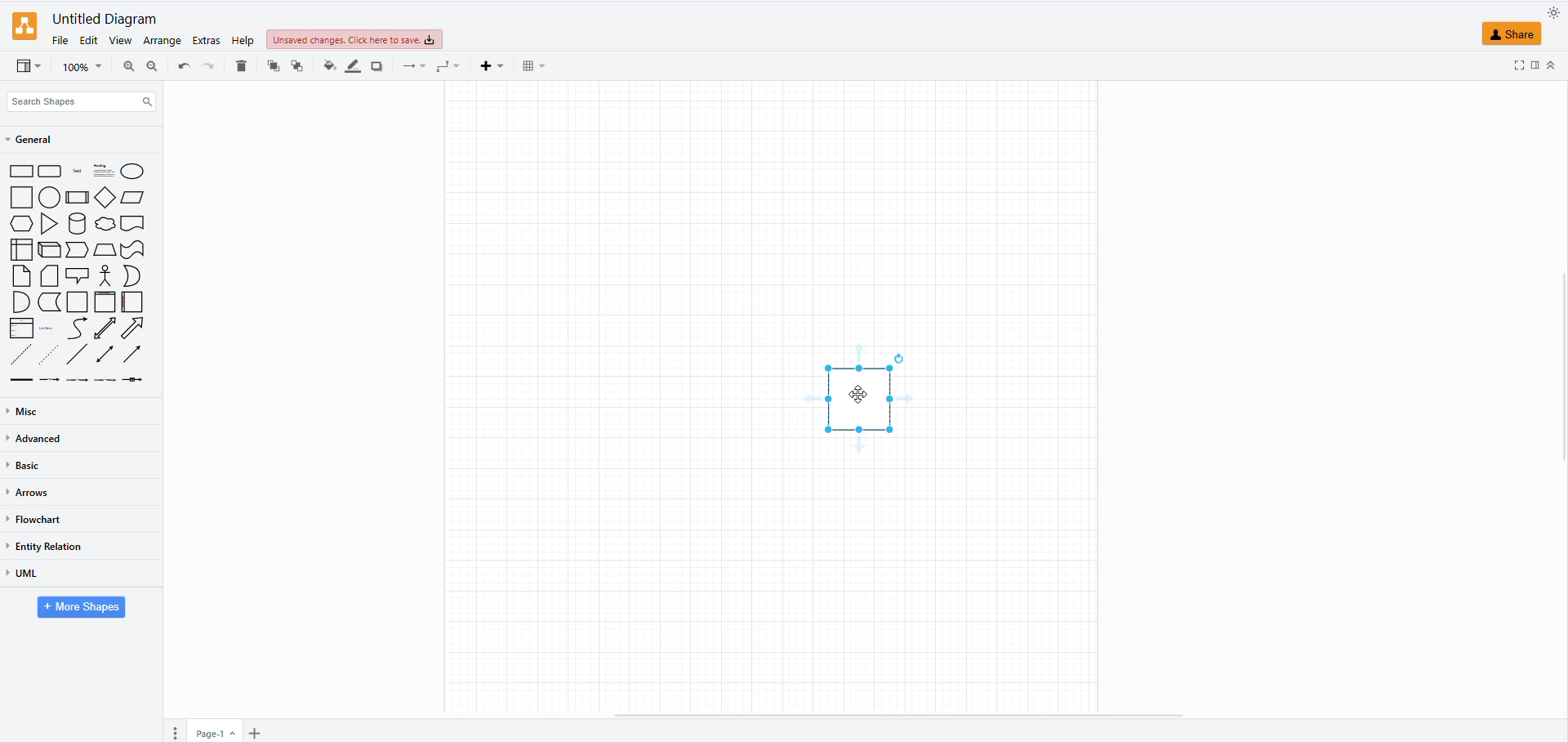 This screenshot has width=1568, height=742. Describe the element at coordinates (38, 141) in the screenshot. I see `General` at that location.